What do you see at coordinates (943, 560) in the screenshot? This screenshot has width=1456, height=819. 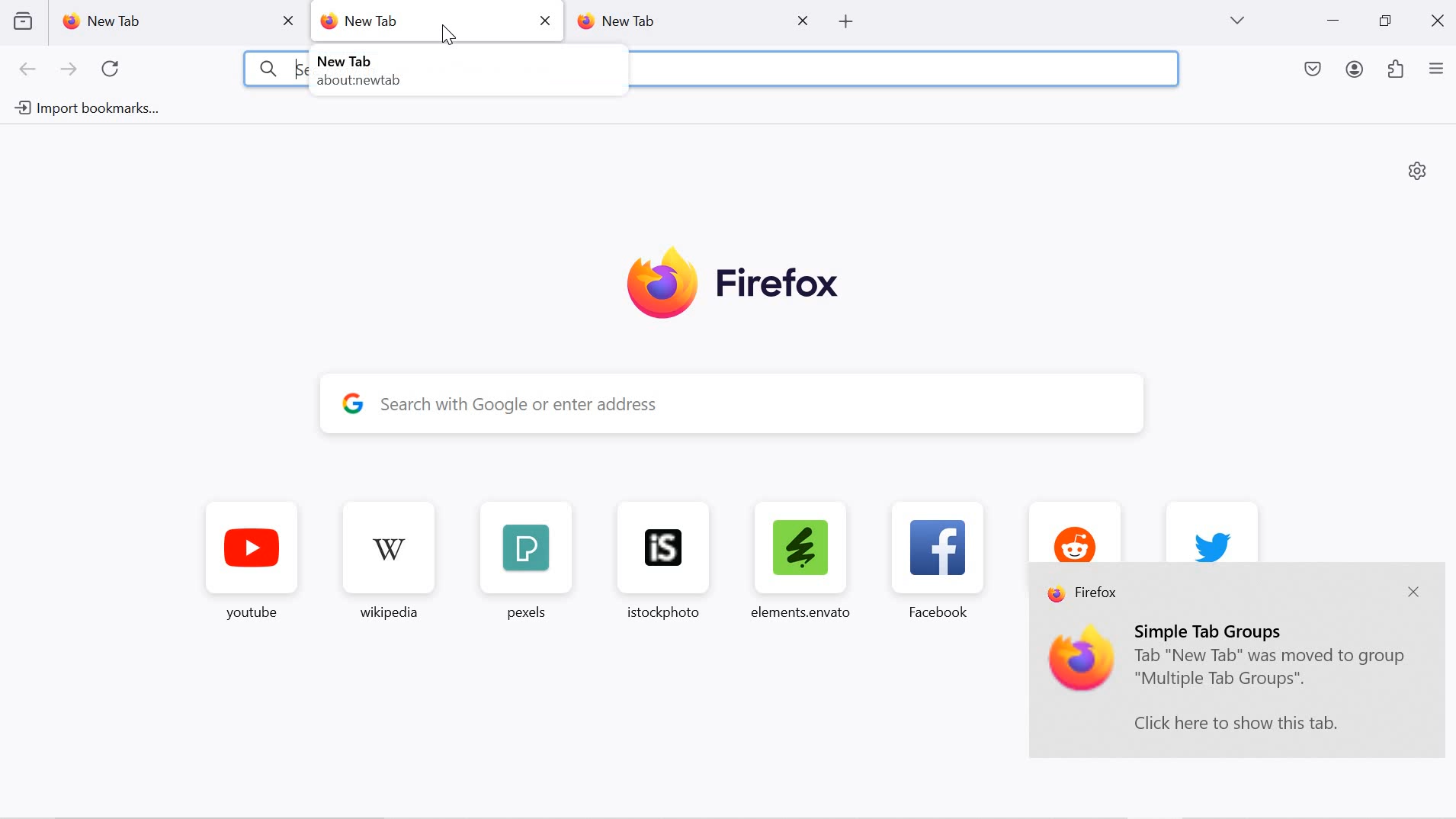 I see `facebook favorite` at bounding box center [943, 560].